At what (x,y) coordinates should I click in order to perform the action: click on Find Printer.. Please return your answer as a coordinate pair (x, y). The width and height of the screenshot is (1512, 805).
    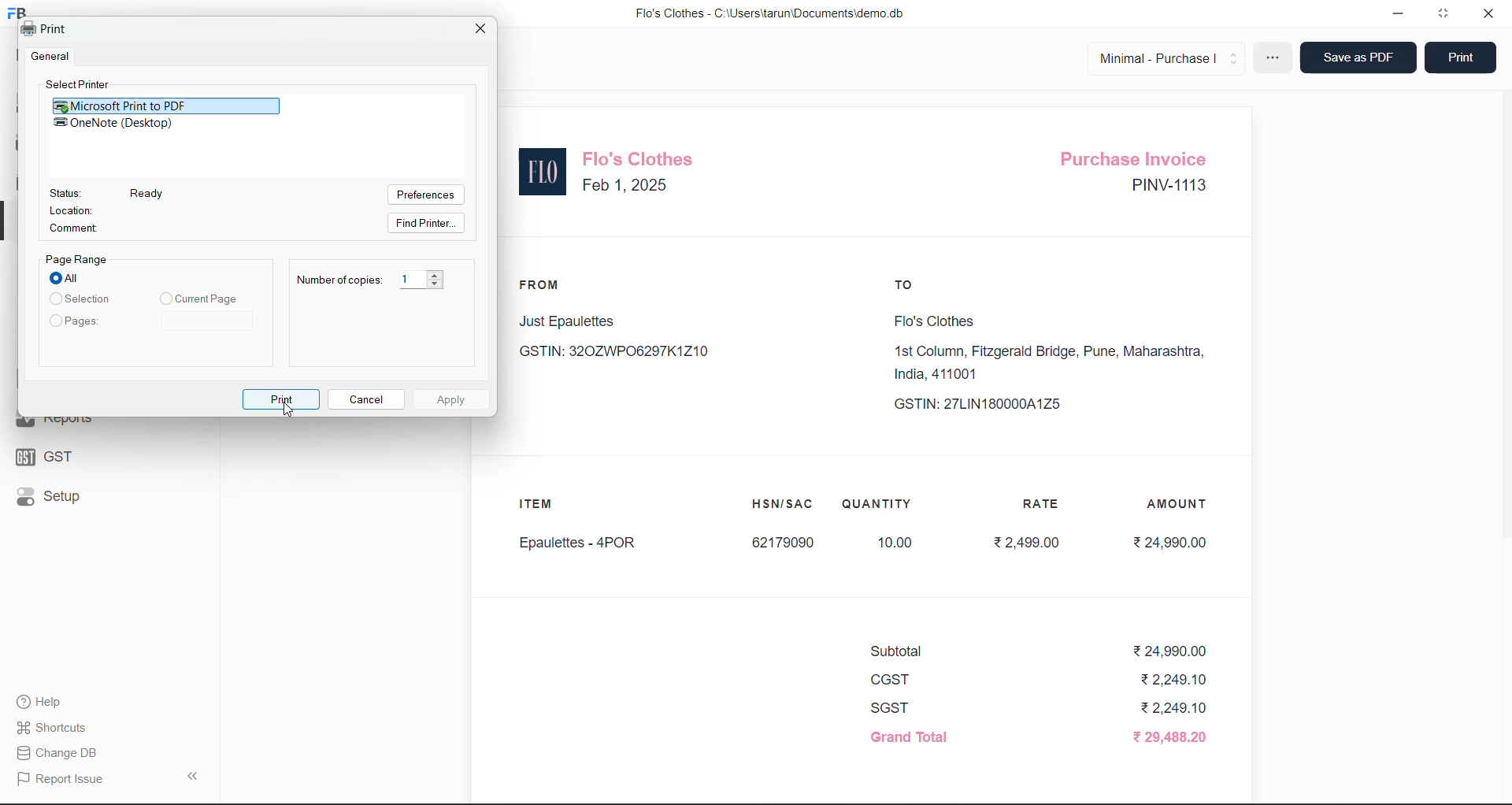
    Looking at the image, I should click on (424, 225).